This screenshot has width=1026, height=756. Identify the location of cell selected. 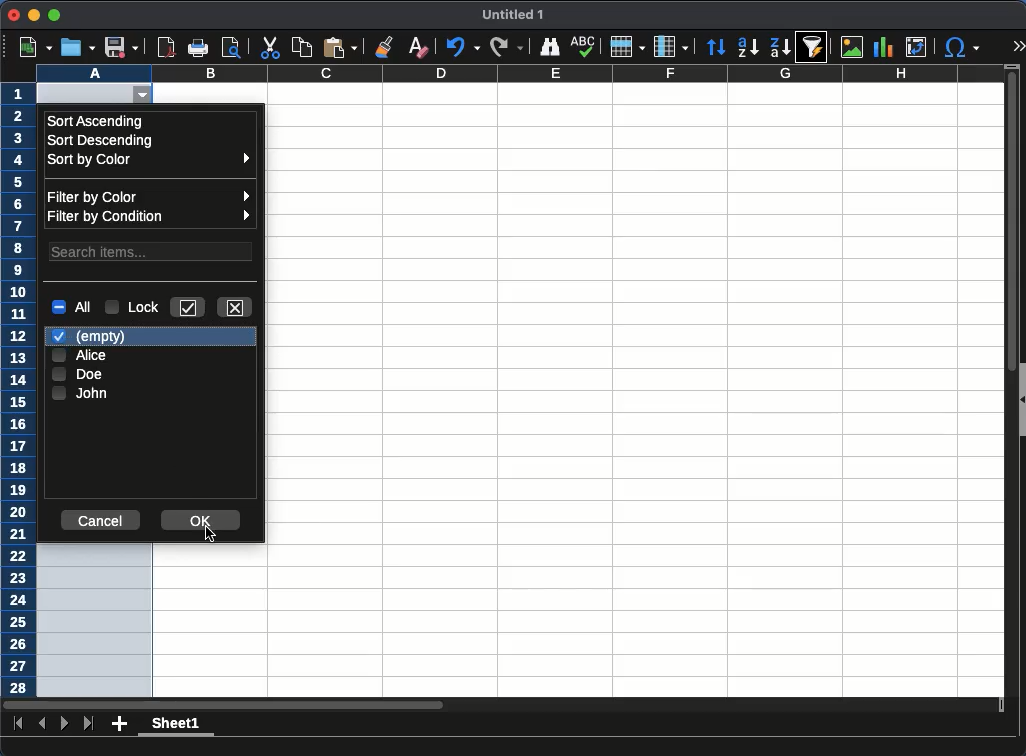
(83, 93).